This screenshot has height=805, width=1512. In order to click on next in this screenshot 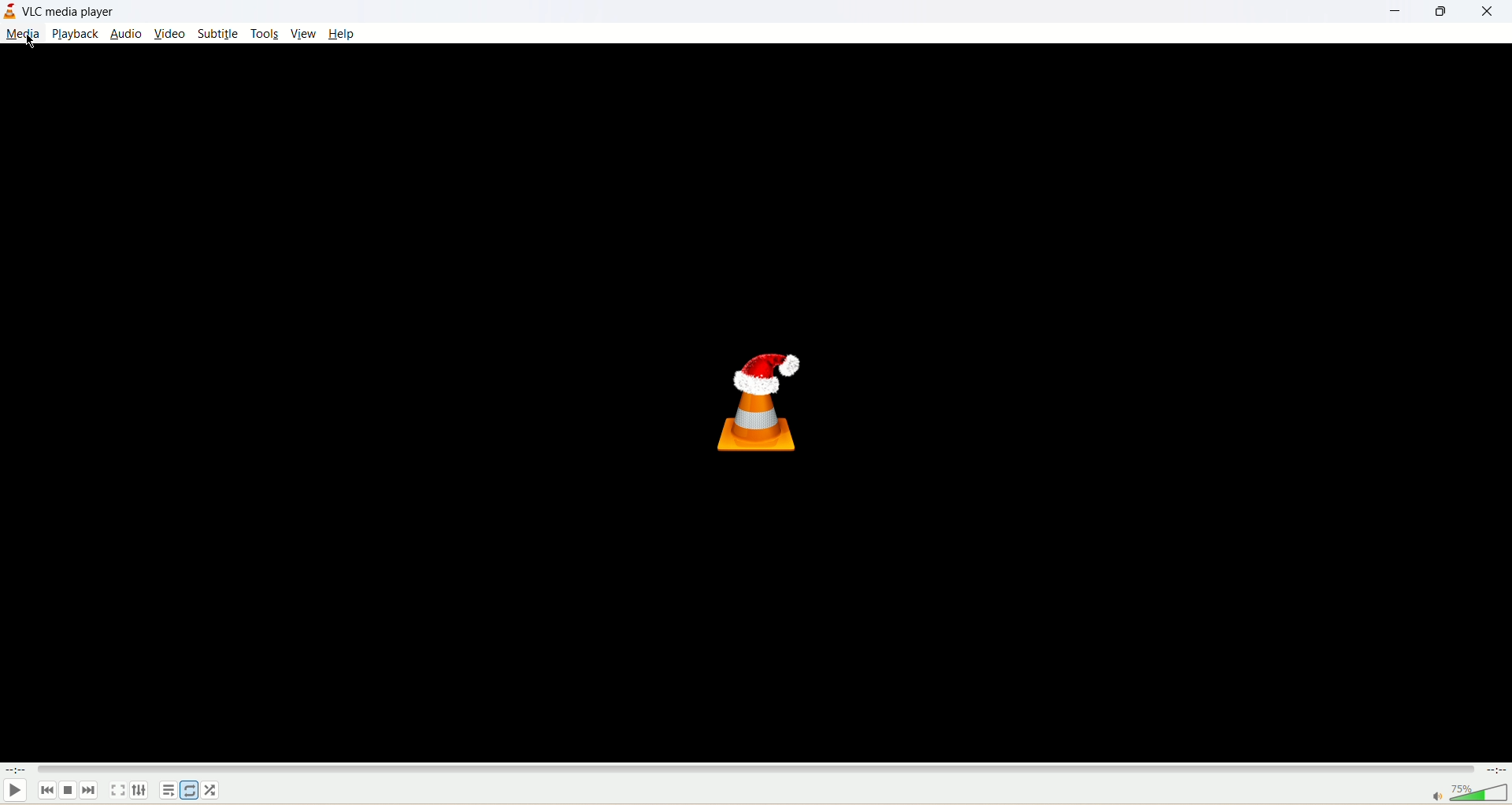, I will do `click(91, 792)`.